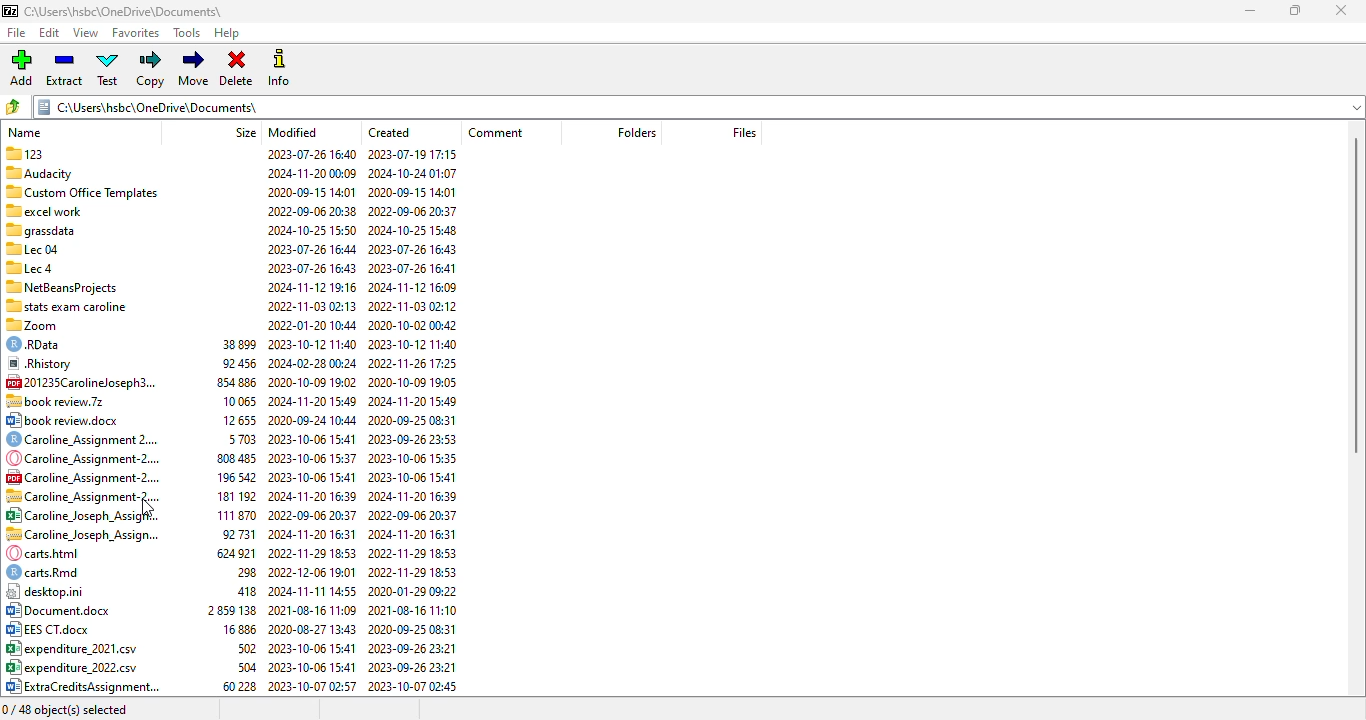 Image resolution: width=1366 pixels, height=720 pixels. I want to click on 0/48 object(s) selected, so click(66, 709).